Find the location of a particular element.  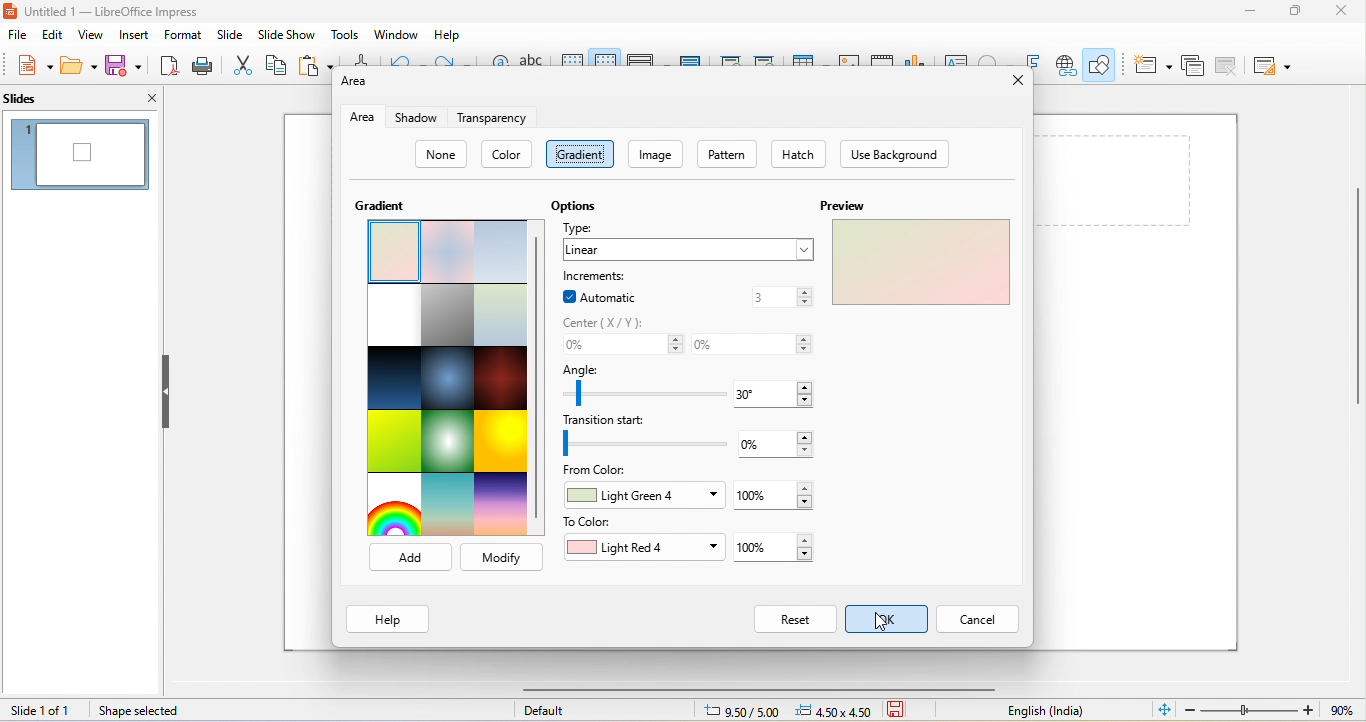

title is located at coordinates (114, 11).